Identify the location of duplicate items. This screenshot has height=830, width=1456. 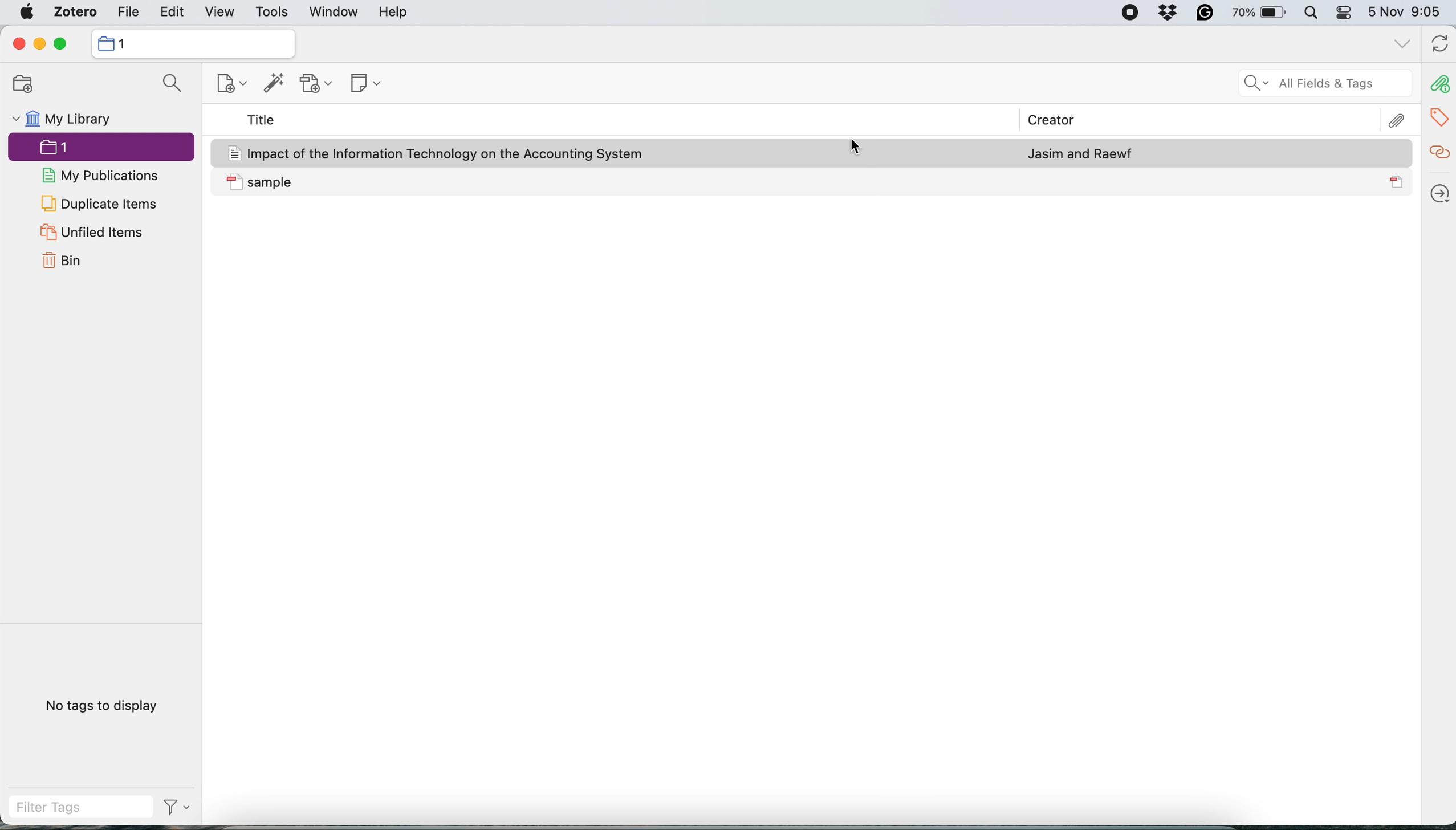
(99, 203).